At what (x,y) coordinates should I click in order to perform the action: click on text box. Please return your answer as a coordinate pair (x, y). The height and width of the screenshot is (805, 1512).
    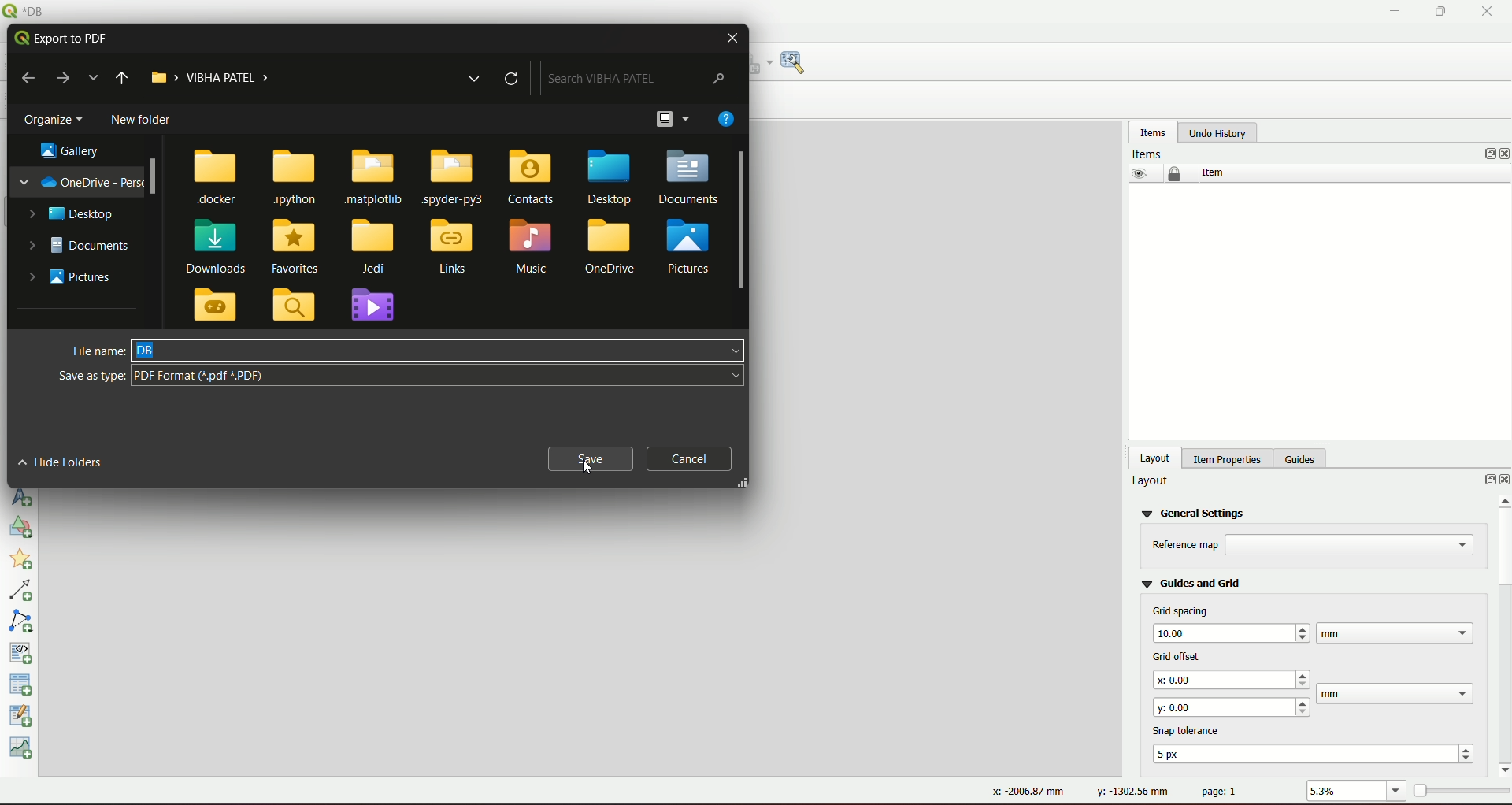
    Looking at the image, I should click on (1230, 632).